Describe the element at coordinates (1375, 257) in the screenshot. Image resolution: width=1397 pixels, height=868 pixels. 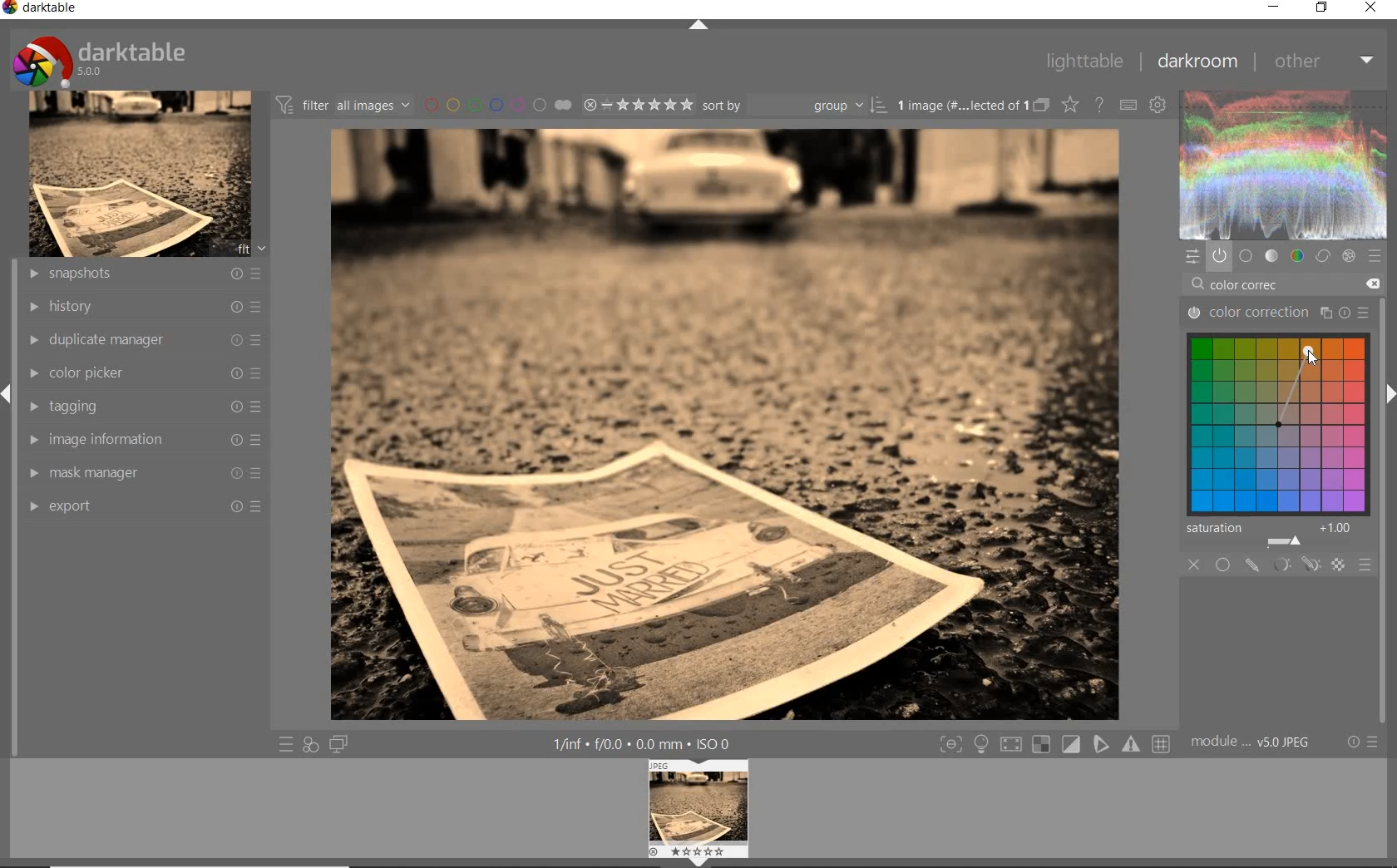
I see `preset ` at that location.